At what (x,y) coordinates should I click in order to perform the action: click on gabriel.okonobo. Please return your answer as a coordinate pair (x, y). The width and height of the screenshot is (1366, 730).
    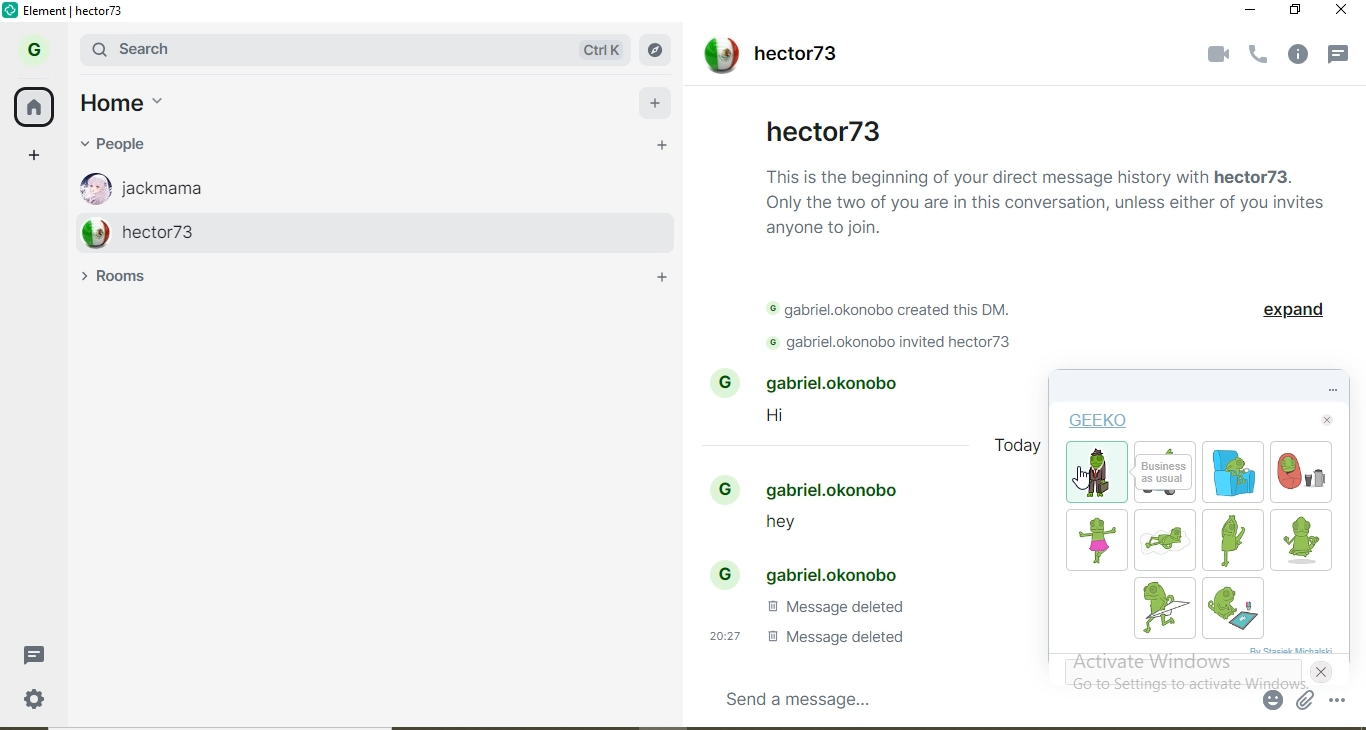
    Looking at the image, I should click on (811, 572).